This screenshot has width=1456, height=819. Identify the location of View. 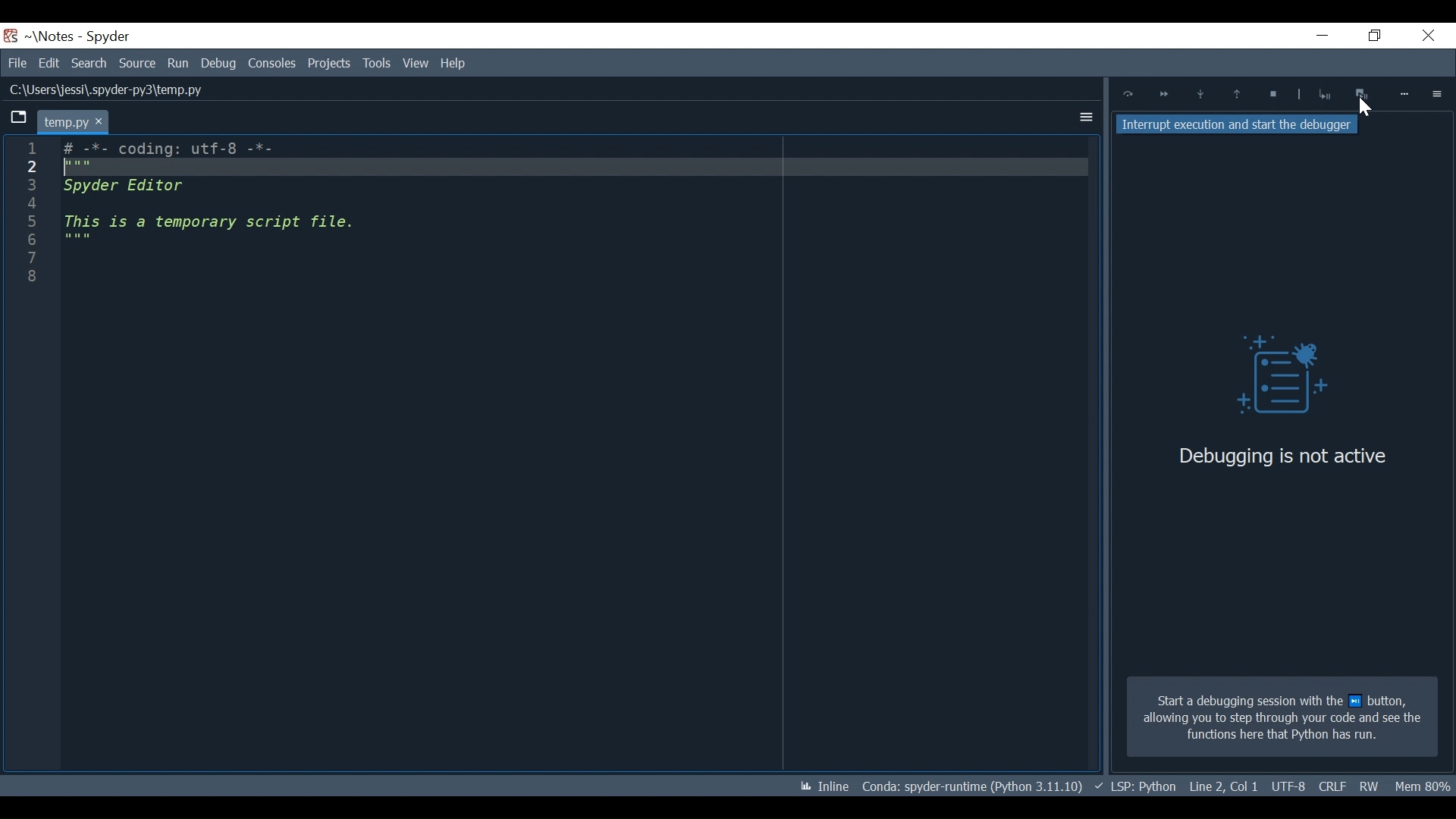
(376, 63).